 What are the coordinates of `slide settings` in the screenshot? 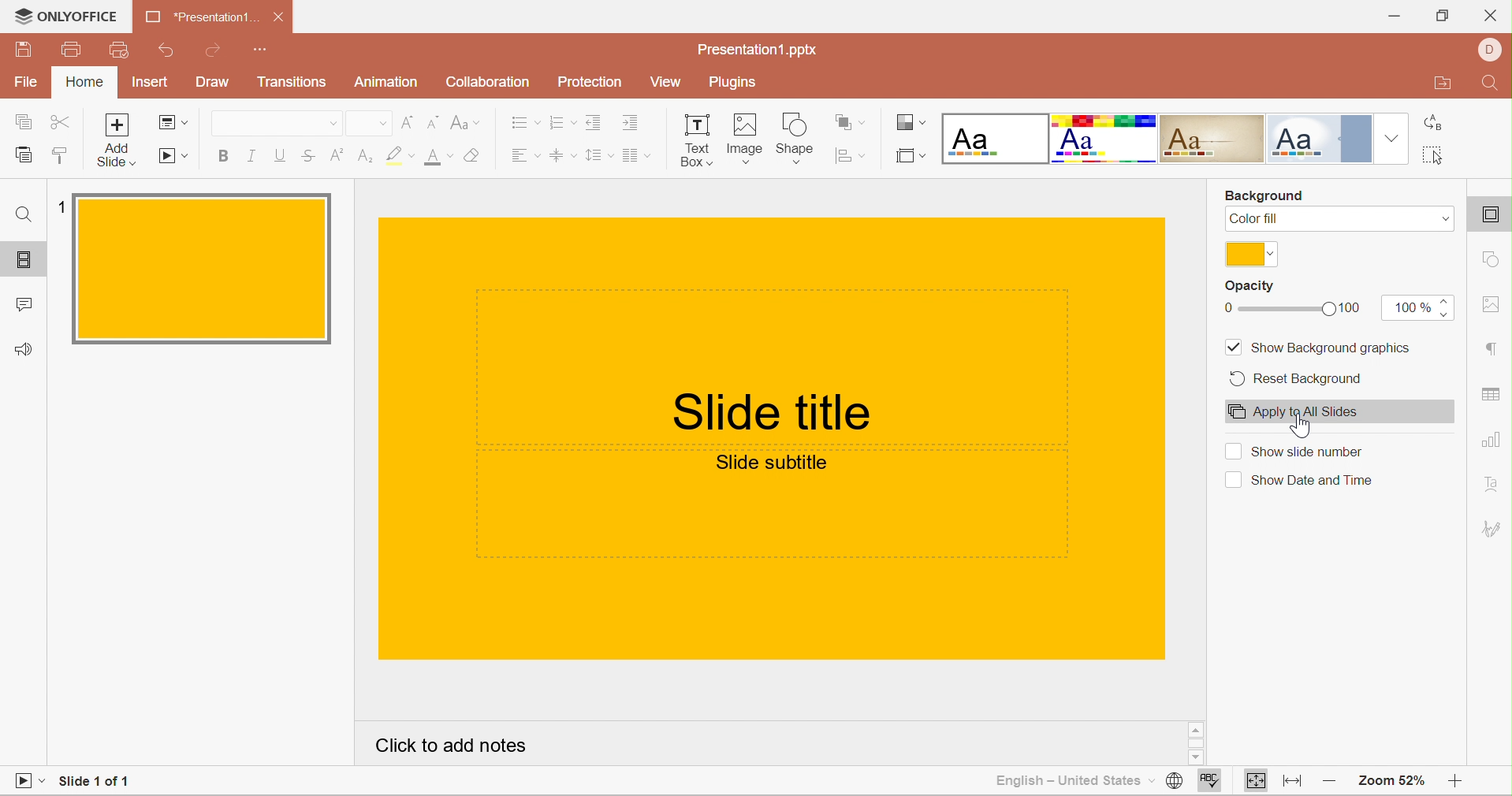 It's located at (1494, 218).